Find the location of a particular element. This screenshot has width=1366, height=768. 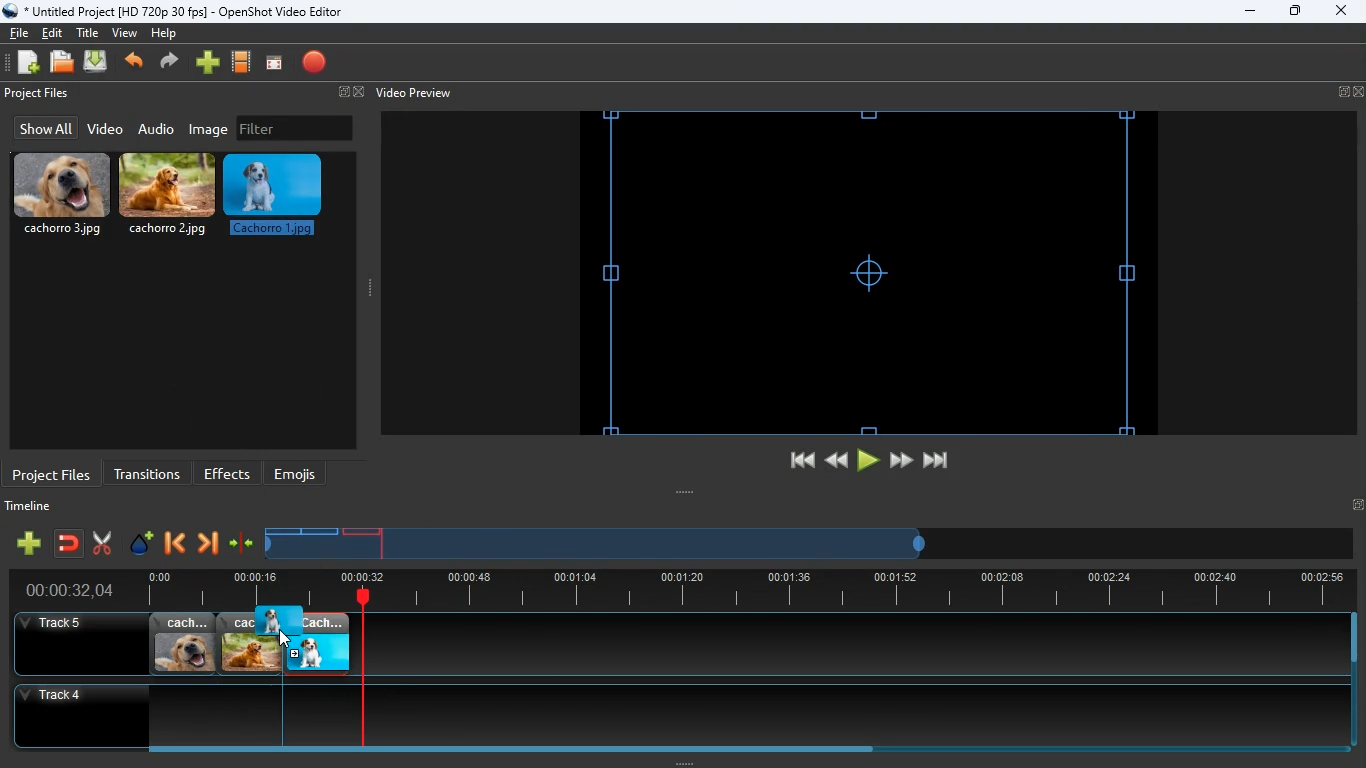

screen is located at coordinates (869, 272).